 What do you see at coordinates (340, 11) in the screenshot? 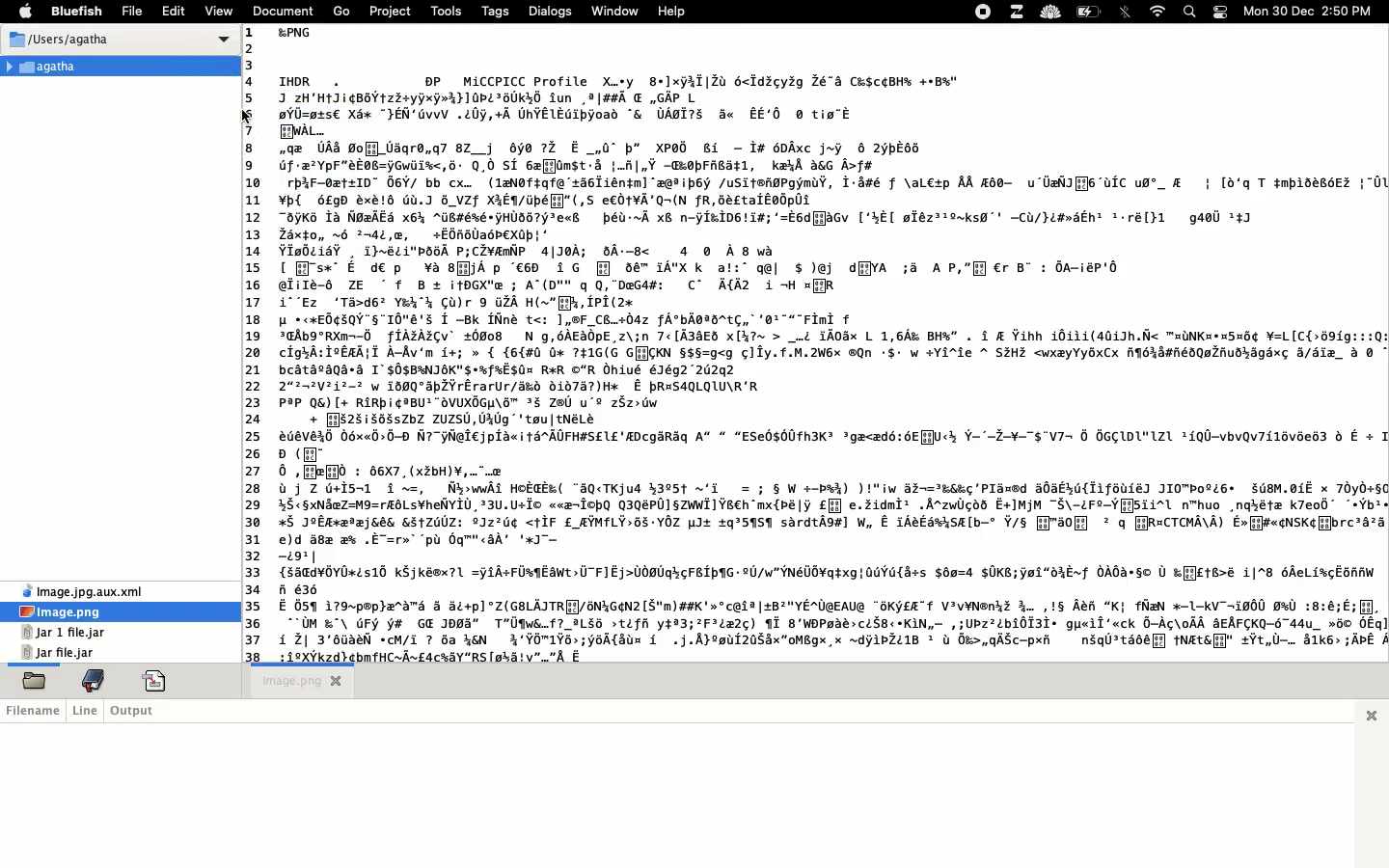
I see `go` at bounding box center [340, 11].